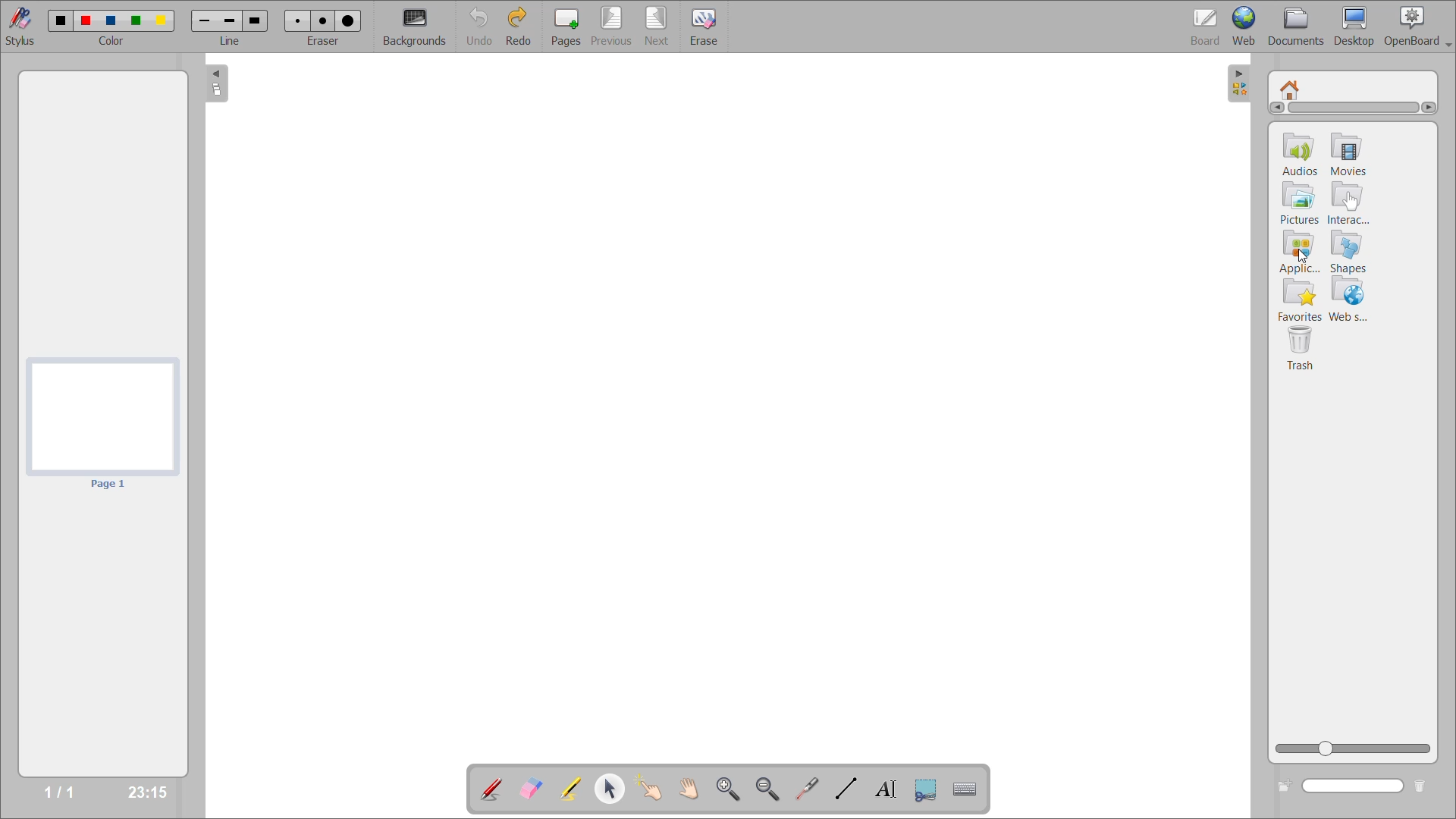  I want to click on page preview, so click(100, 425).